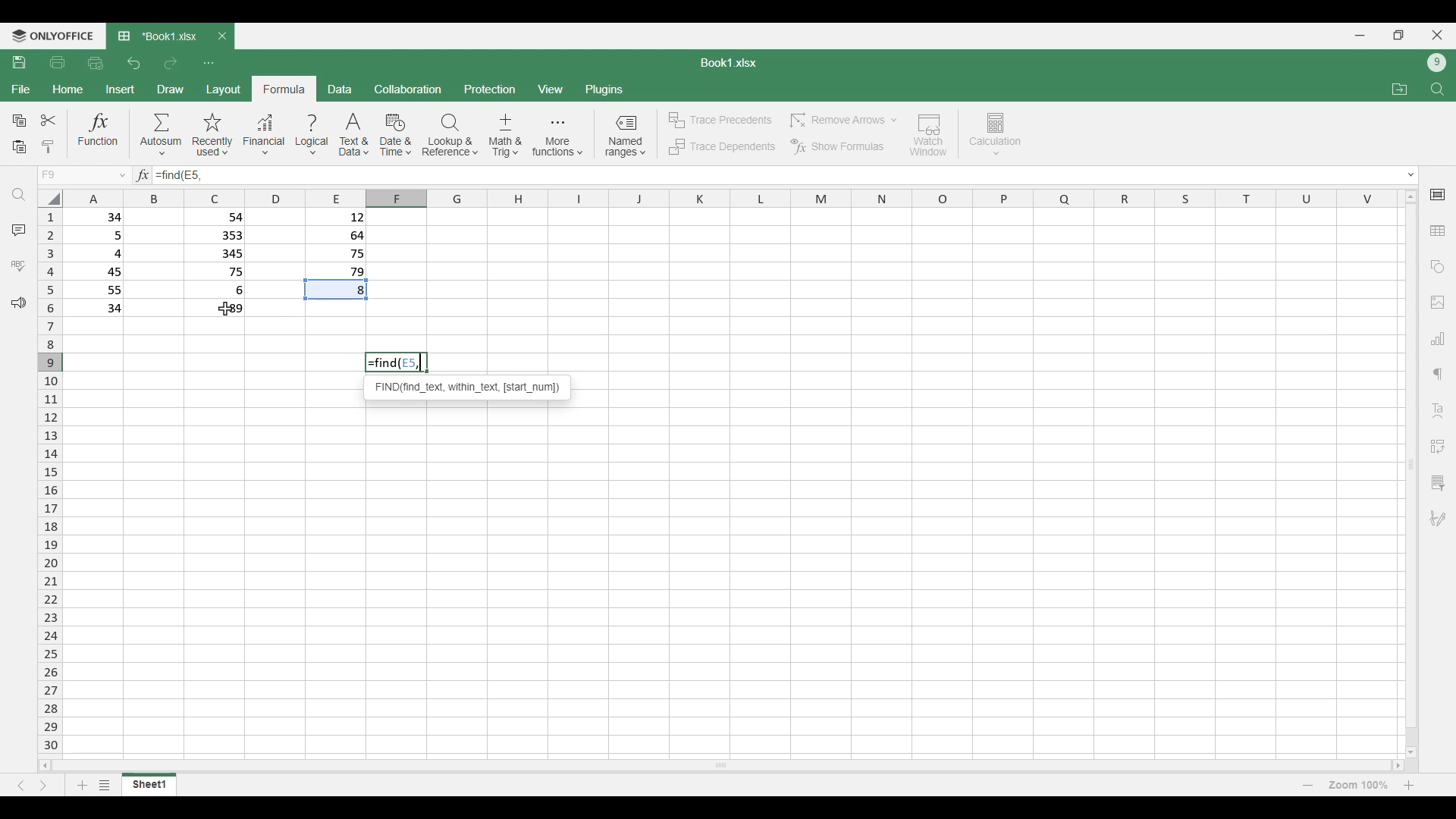 The width and height of the screenshot is (1456, 819). What do you see at coordinates (1412, 175) in the screenshot?
I see `Expand text box` at bounding box center [1412, 175].